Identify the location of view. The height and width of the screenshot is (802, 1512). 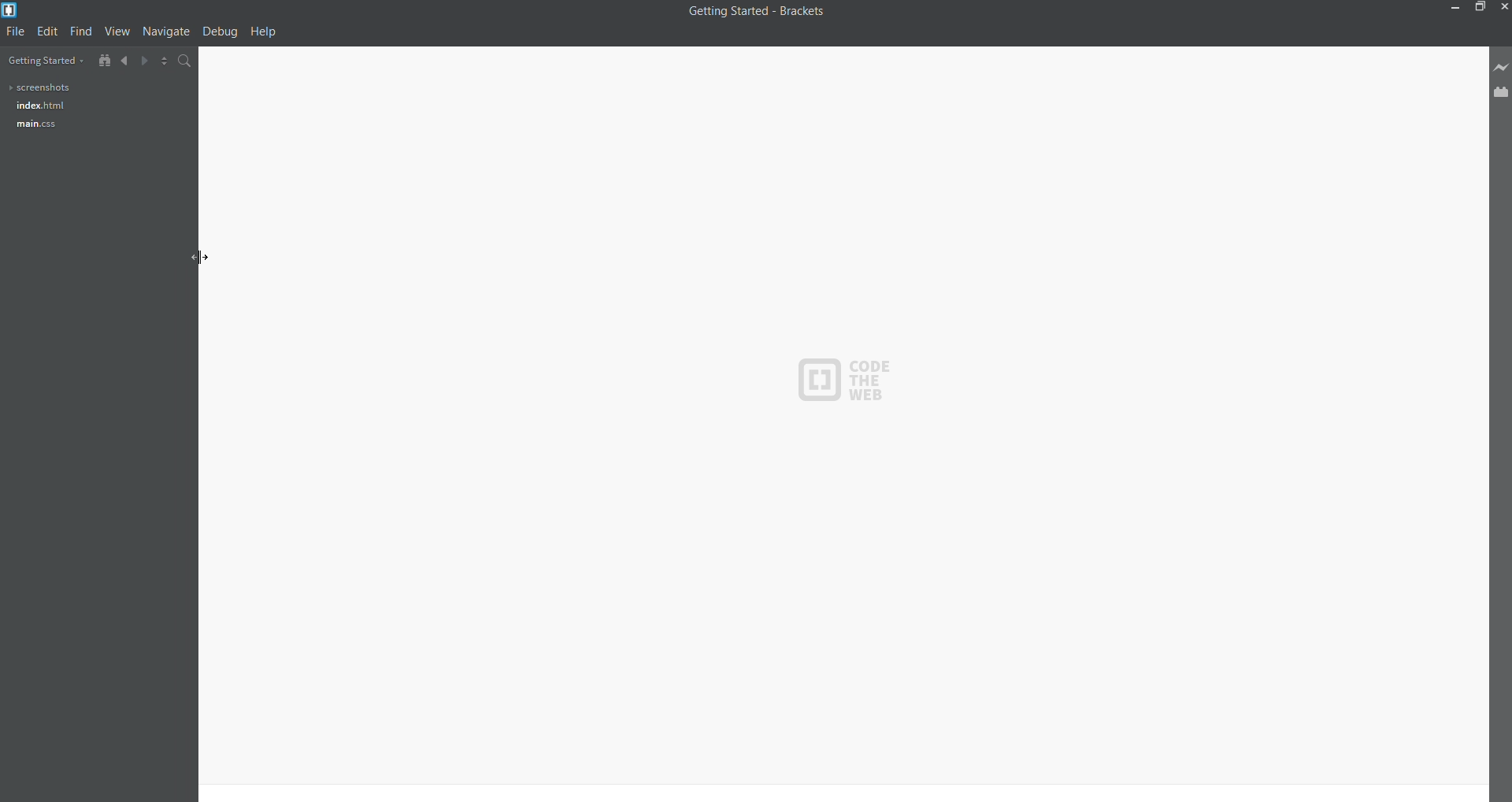
(116, 30).